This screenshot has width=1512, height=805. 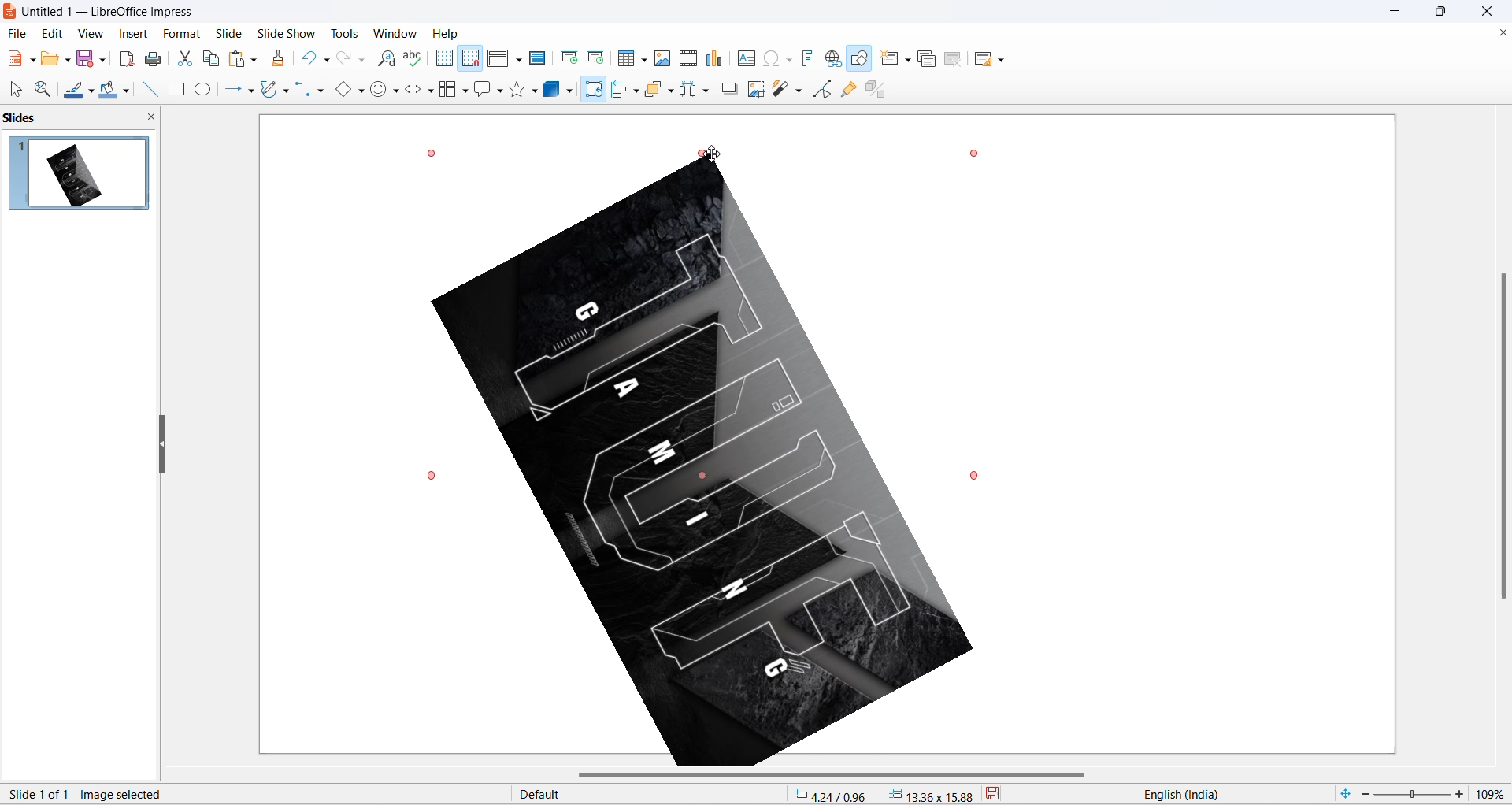 I want to click on slide layout icon, so click(x=985, y=61).